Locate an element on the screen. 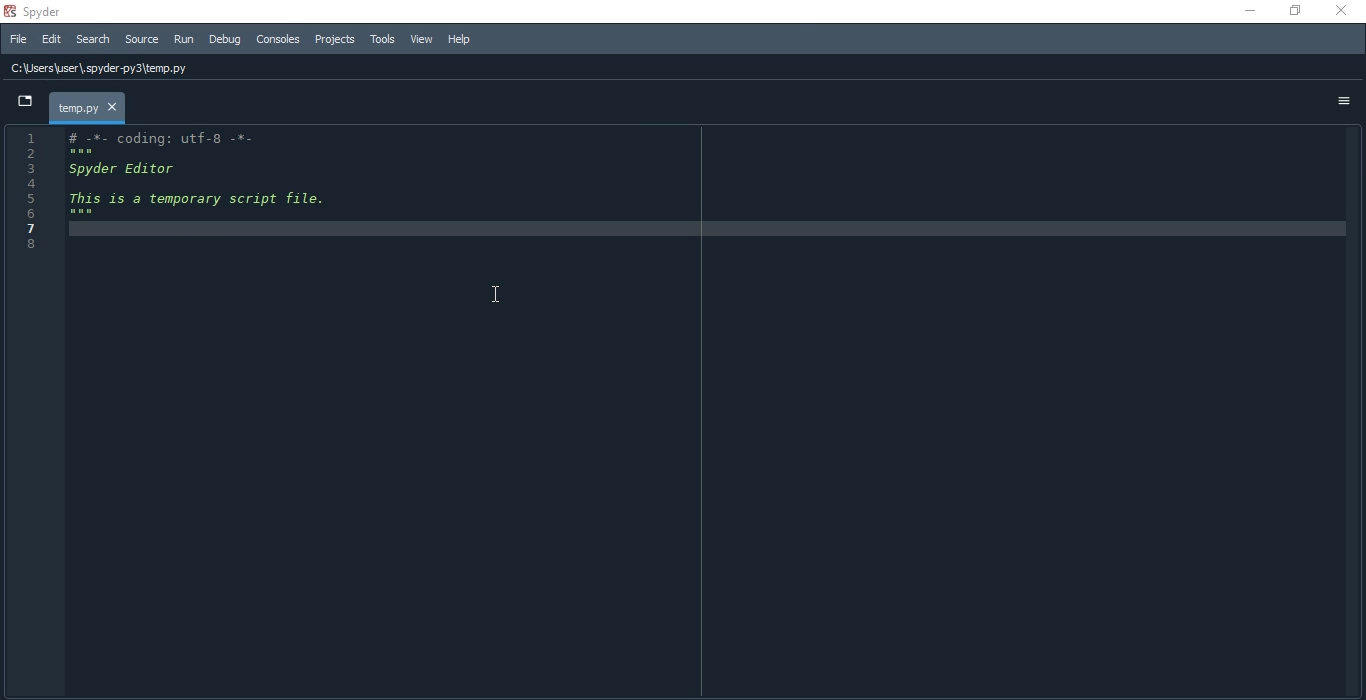 The image size is (1366, 700). 6 *** is located at coordinates (50, 212).